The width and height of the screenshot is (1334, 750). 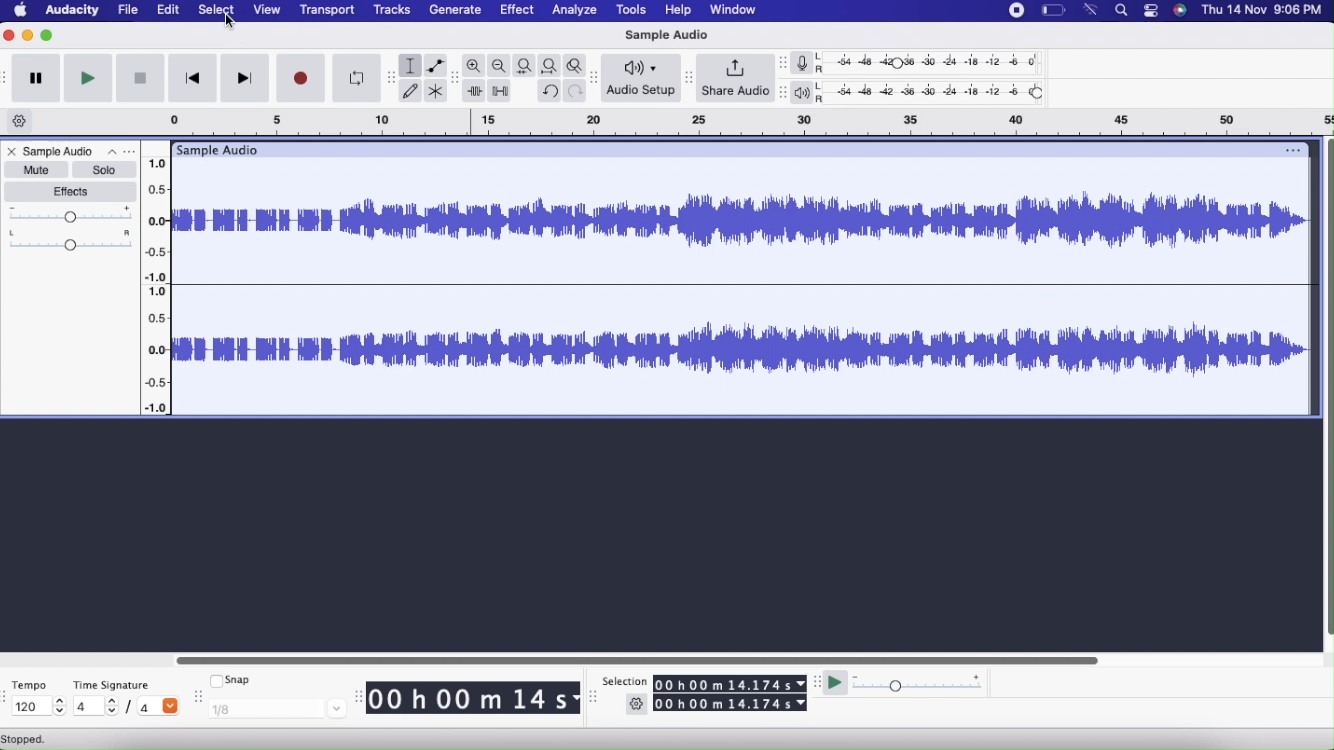 I want to click on Tempo, so click(x=31, y=685).